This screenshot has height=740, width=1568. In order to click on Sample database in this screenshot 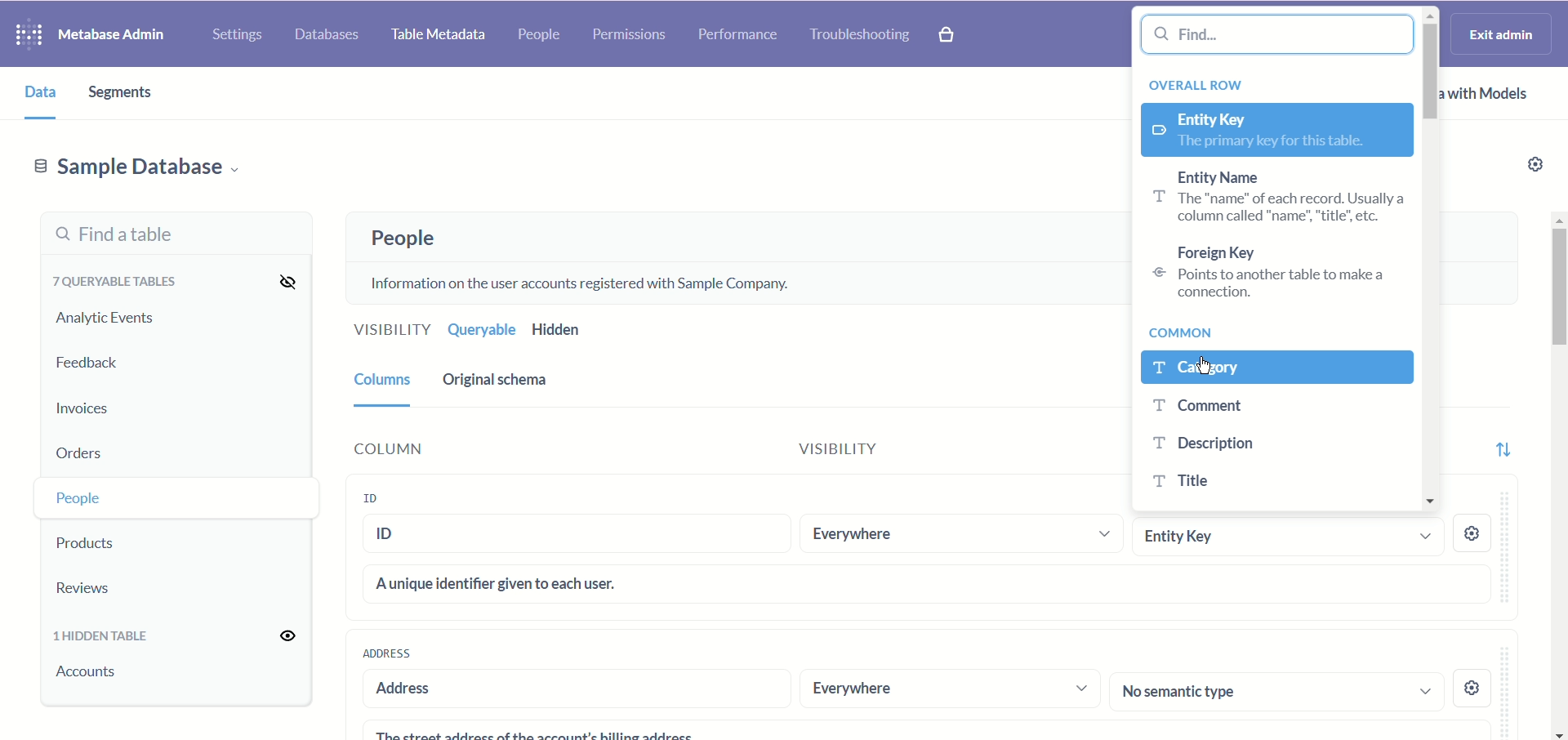, I will do `click(136, 166)`.